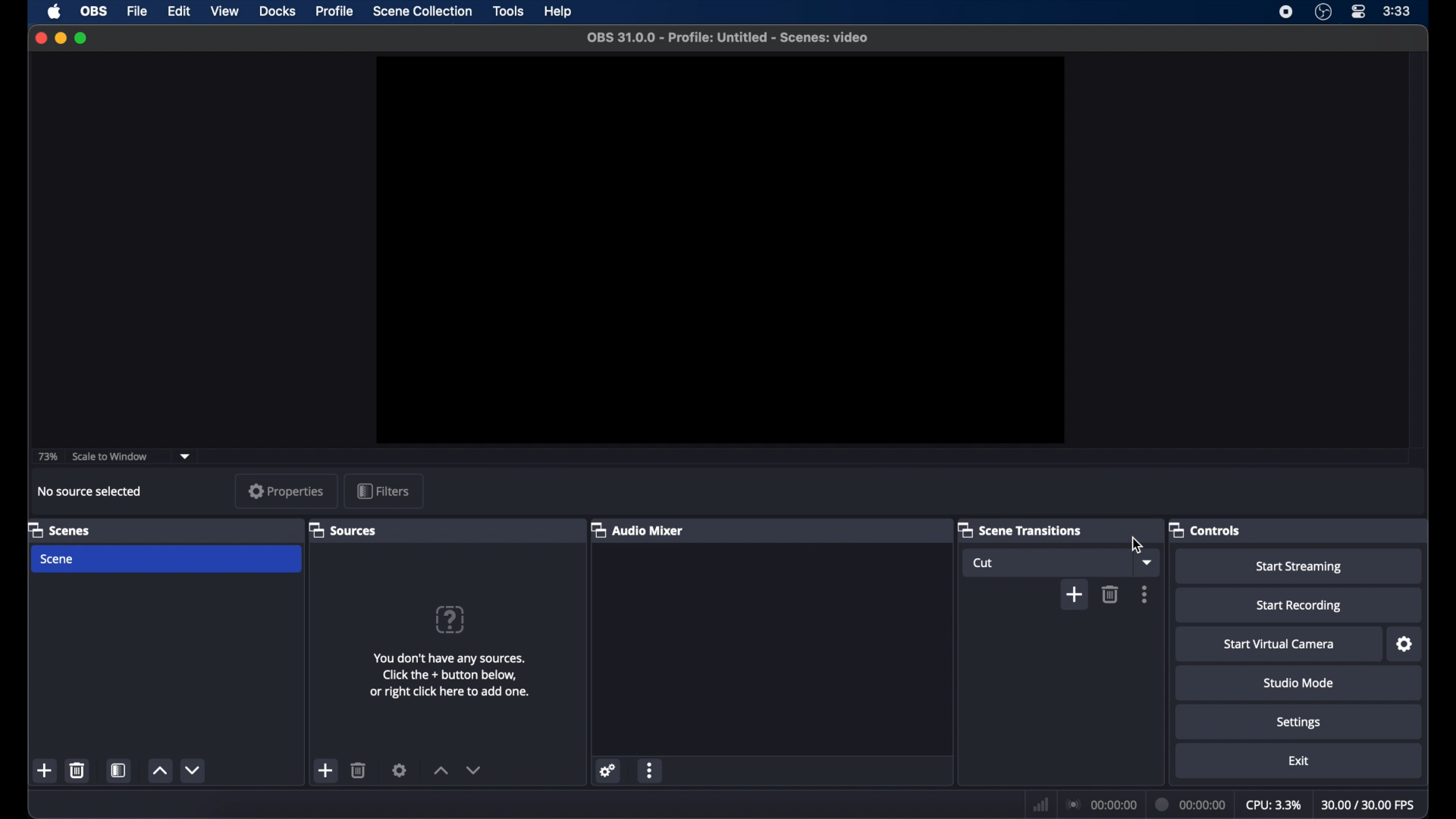  I want to click on dropdown, so click(186, 455).